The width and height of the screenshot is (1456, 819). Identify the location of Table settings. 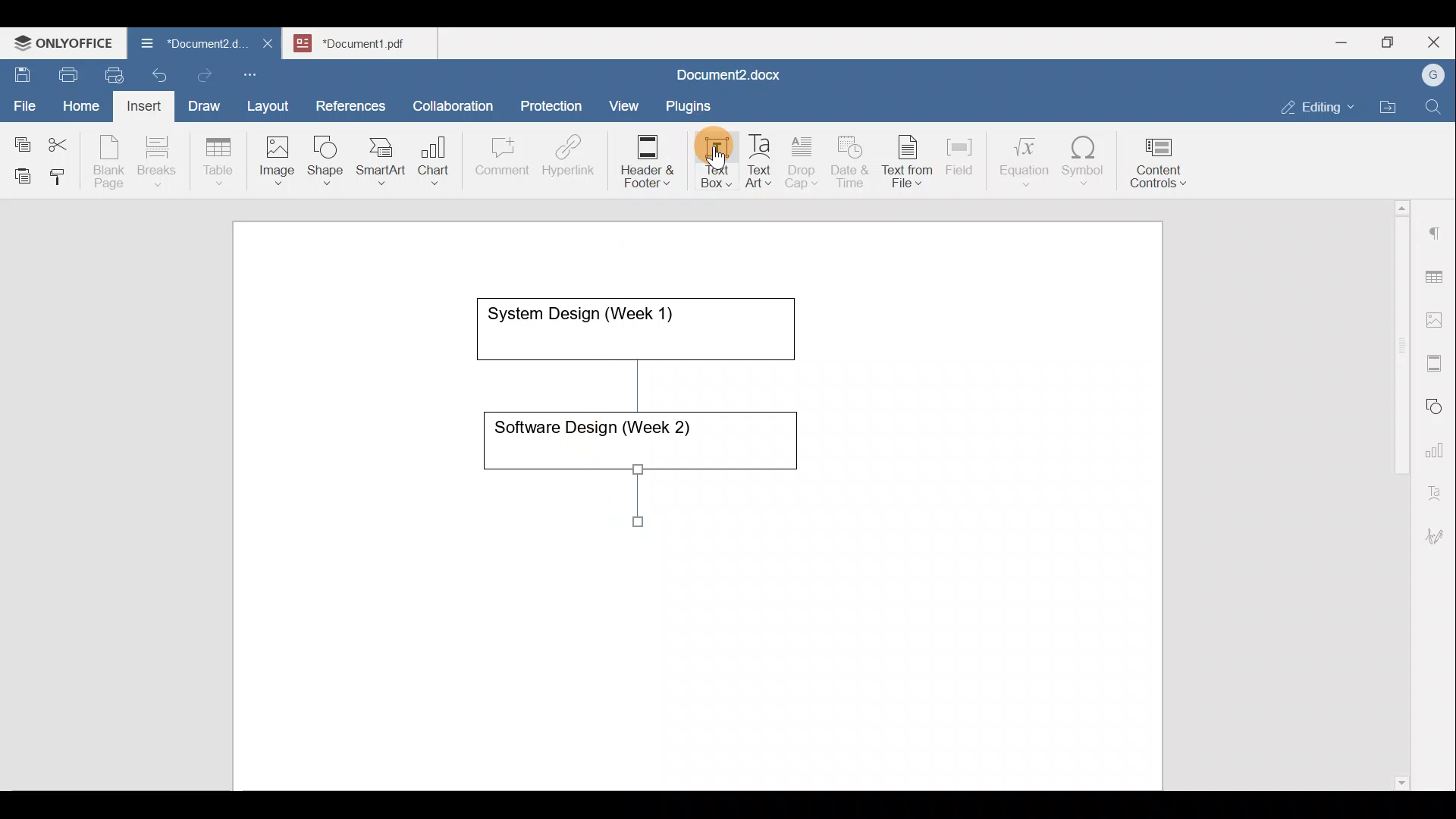
(1437, 275).